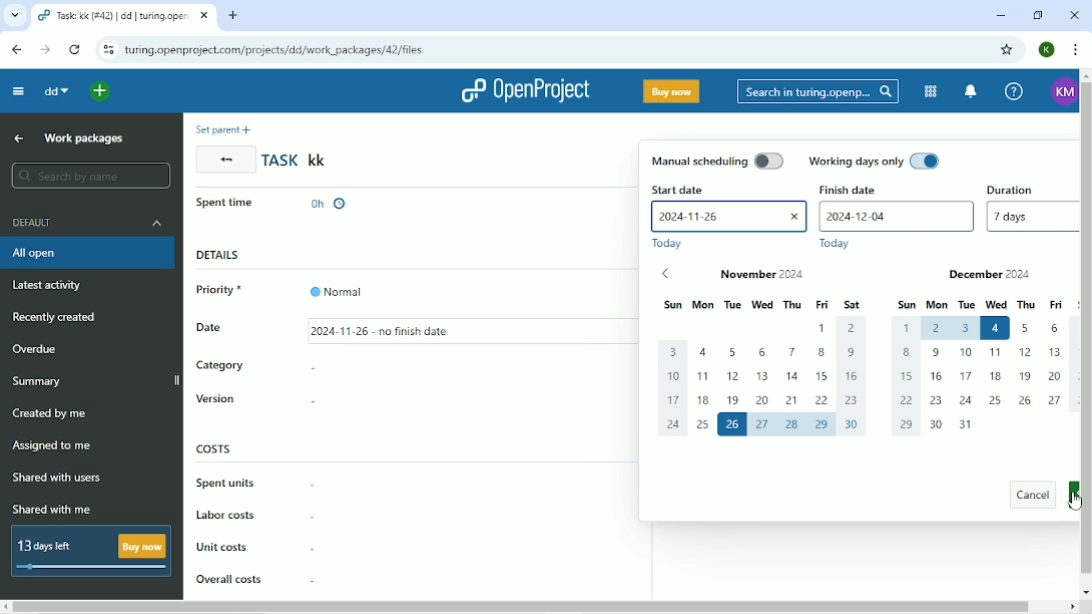  What do you see at coordinates (1029, 222) in the screenshot?
I see `7 days` at bounding box center [1029, 222].